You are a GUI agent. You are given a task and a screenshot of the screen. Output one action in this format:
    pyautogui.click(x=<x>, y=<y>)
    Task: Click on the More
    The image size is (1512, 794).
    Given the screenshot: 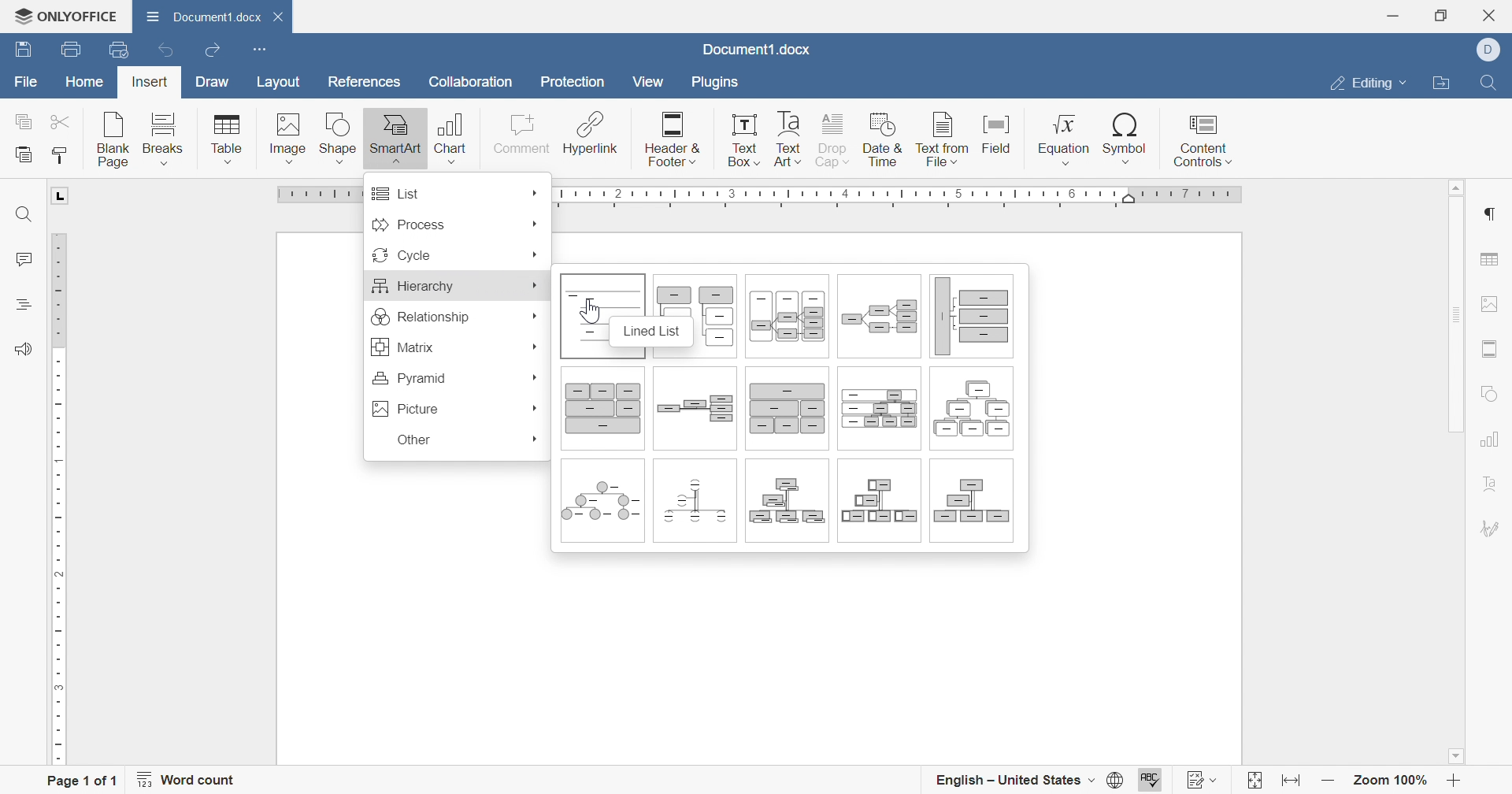 What is the action you would take?
    pyautogui.click(x=536, y=224)
    